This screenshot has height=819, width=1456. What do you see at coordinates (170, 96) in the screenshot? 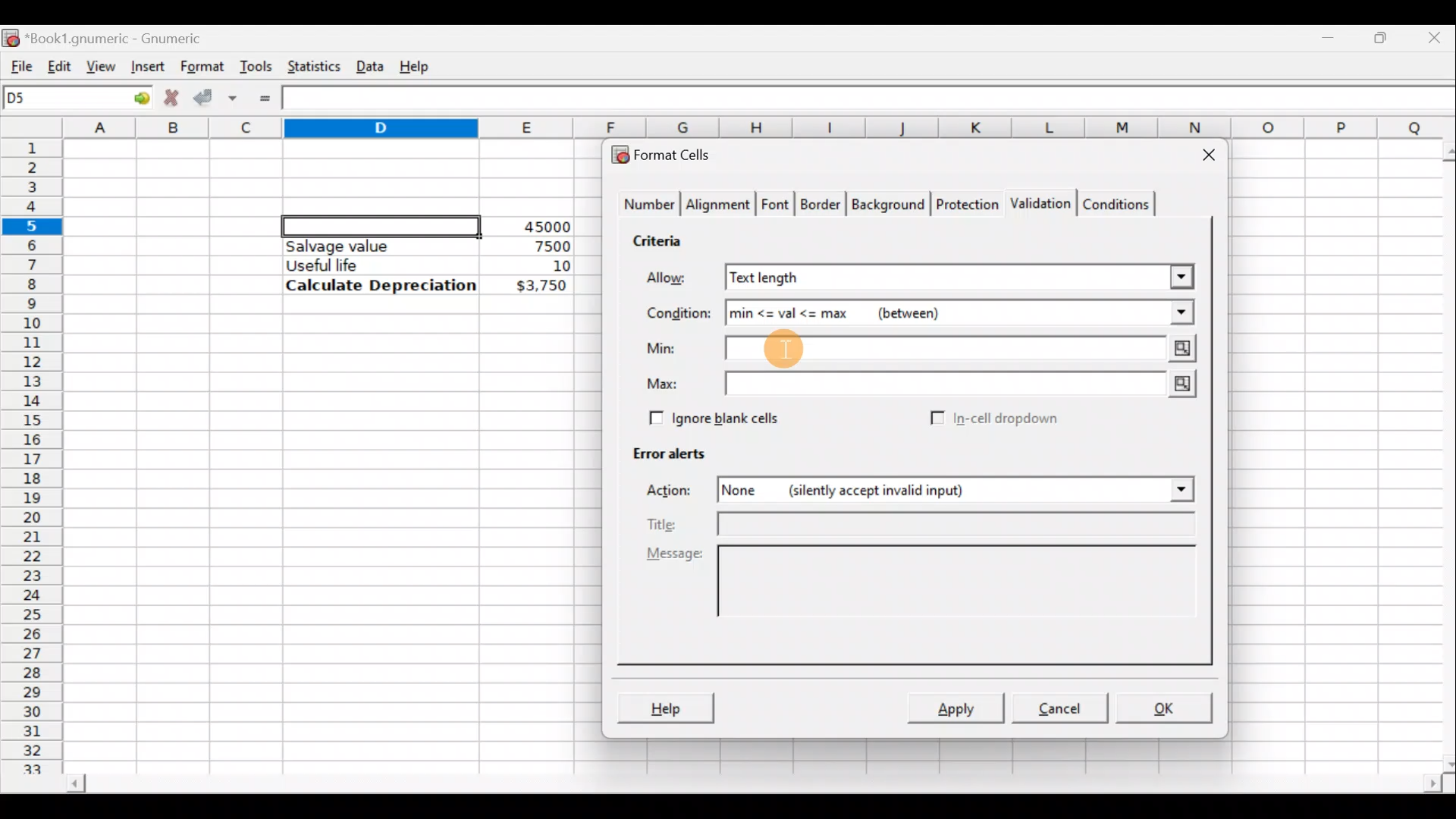
I see `Cancel change` at bounding box center [170, 96].